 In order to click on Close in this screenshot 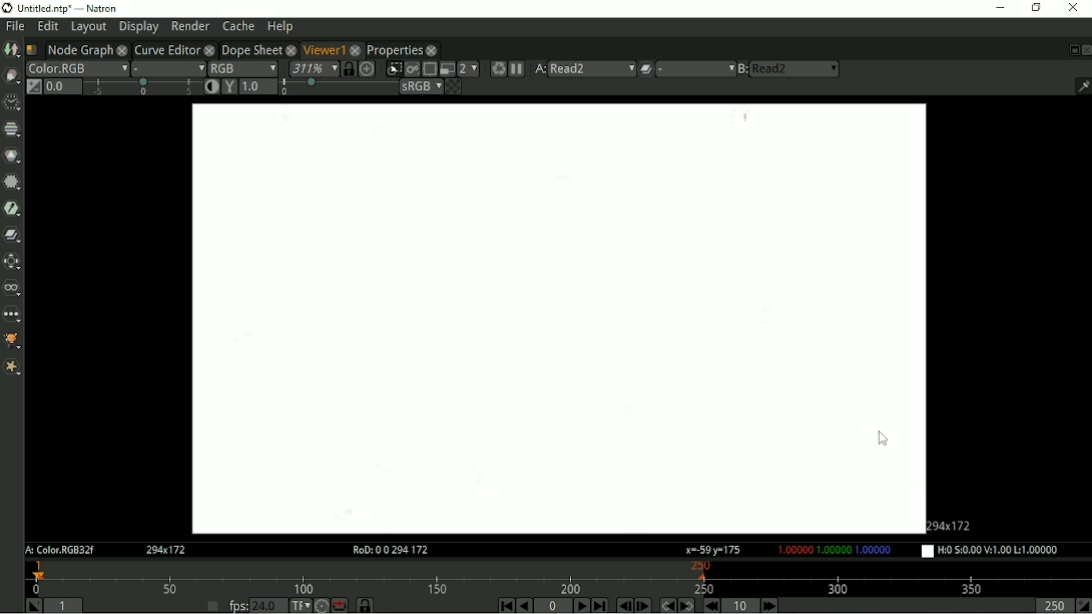, I will do `click(1085, 50)`.